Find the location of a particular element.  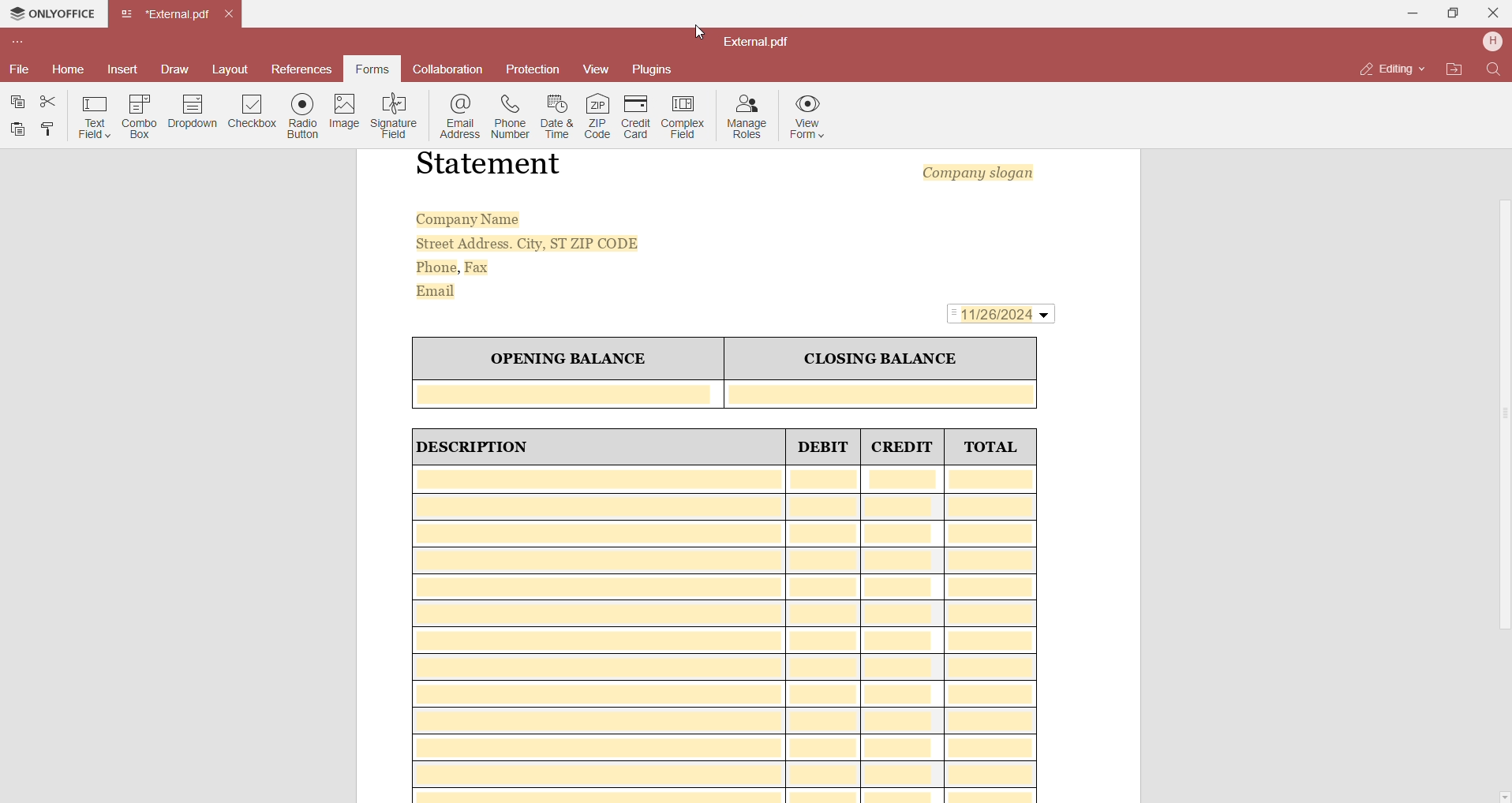

Email Address is located at coordinates (461, 118).